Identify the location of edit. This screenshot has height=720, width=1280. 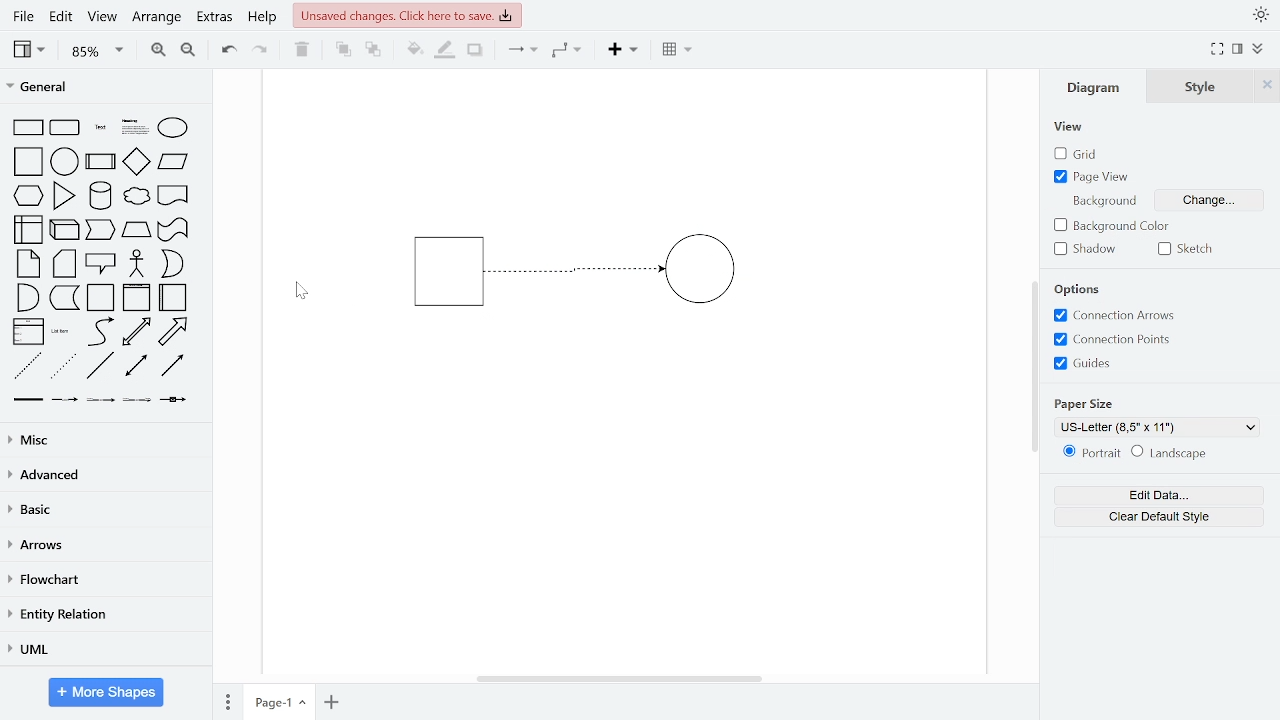
(60, 18).